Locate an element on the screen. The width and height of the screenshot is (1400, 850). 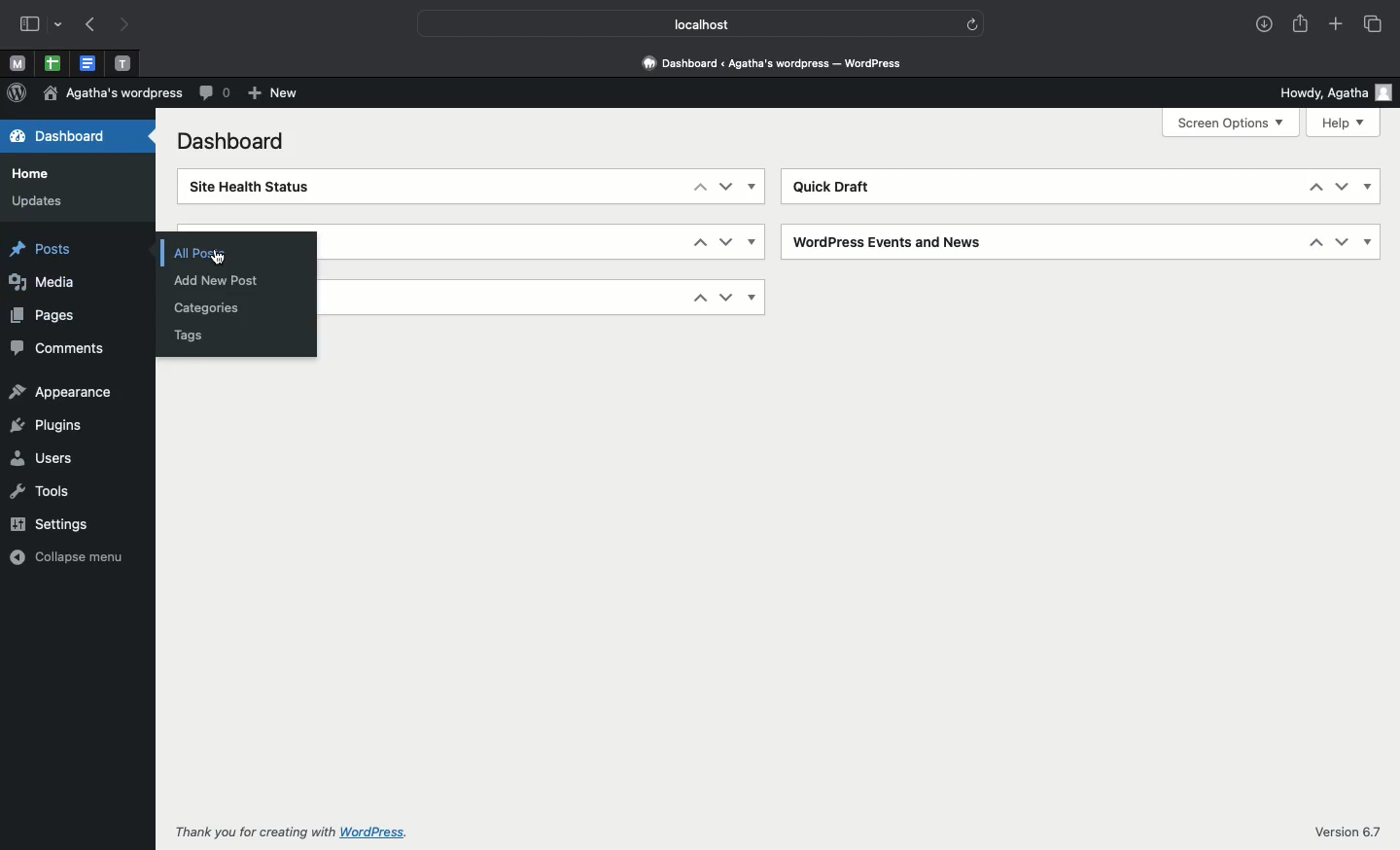
Dashboard is located at coordinates (237, 145).